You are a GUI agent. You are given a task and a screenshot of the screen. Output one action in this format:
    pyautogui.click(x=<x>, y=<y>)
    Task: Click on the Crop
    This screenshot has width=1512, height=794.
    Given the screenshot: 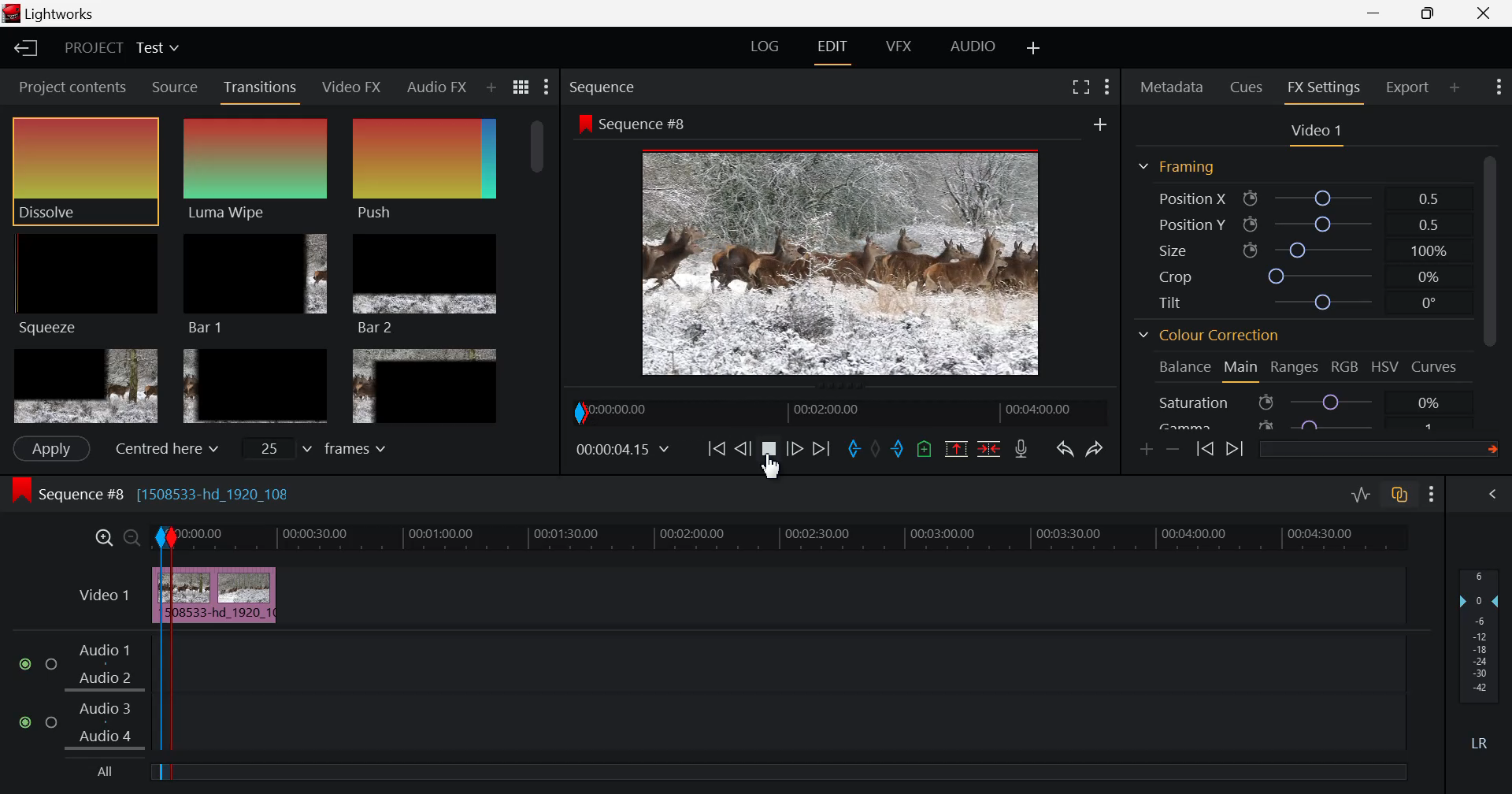 What is the action you would take?
    pyautogui.click(x=1300, y=276)
    